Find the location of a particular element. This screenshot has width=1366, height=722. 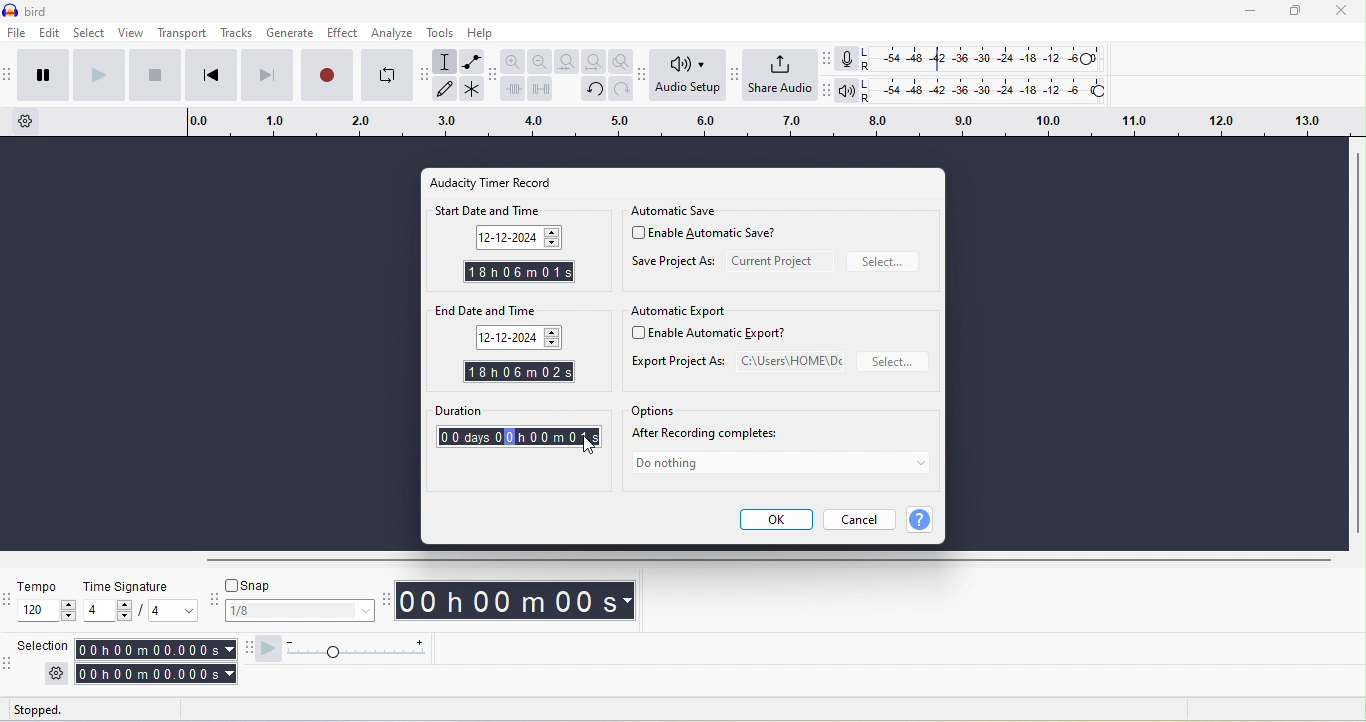

draw tool is located at coordinates (449, 92).